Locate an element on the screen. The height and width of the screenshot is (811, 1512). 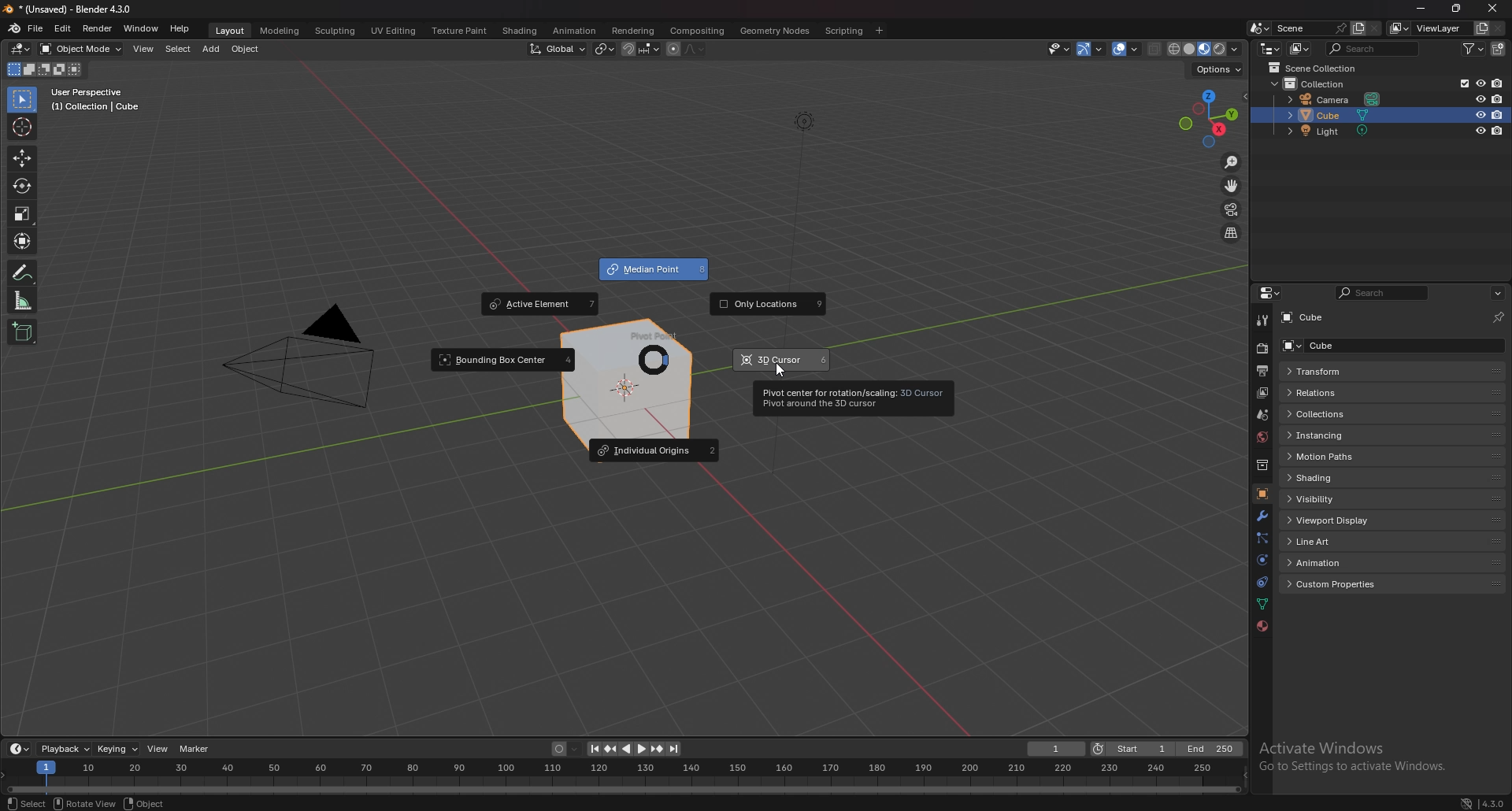
data is located at coordinates (1262, 605).